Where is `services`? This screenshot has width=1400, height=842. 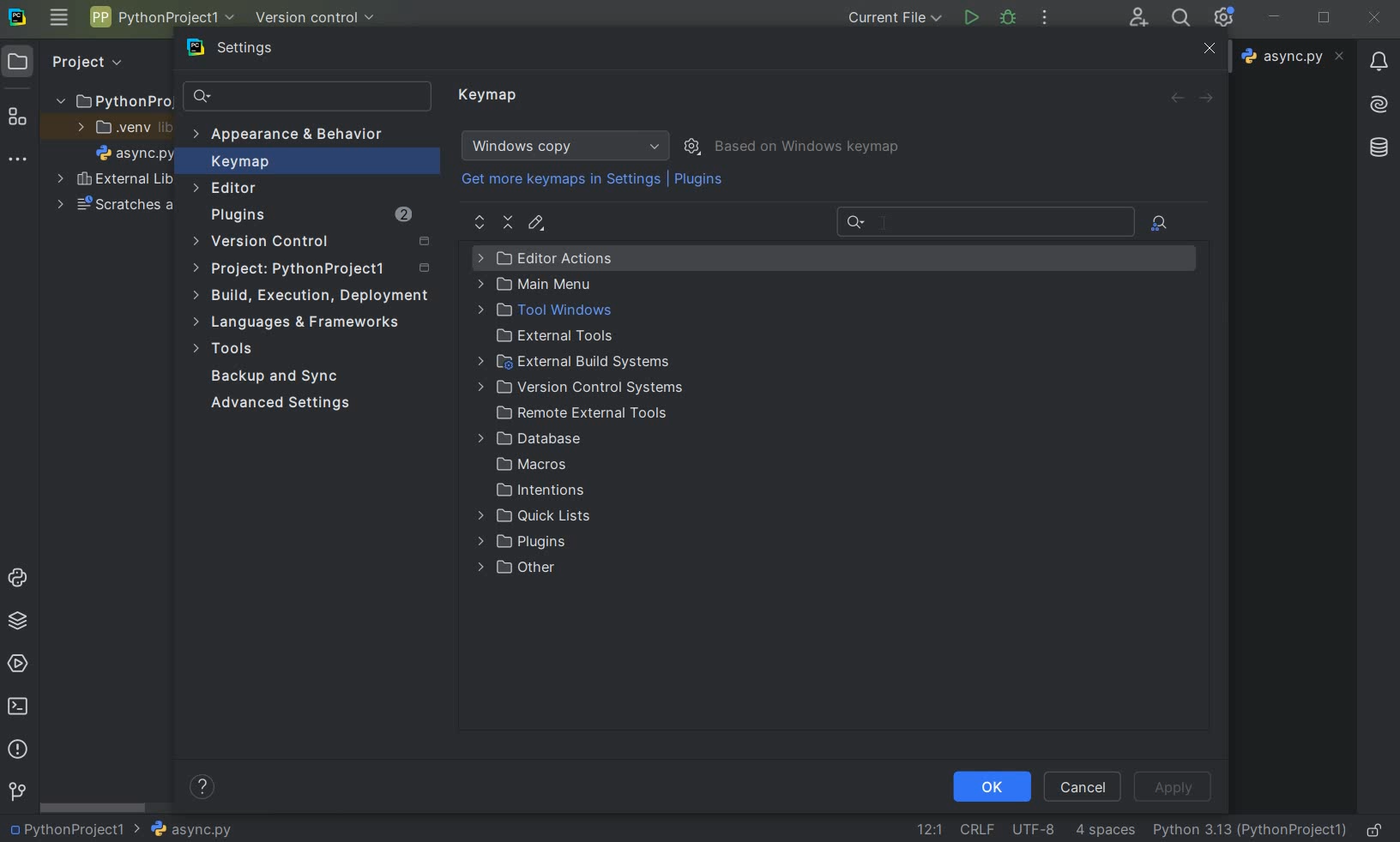
services is located at coordinates (20, 663).